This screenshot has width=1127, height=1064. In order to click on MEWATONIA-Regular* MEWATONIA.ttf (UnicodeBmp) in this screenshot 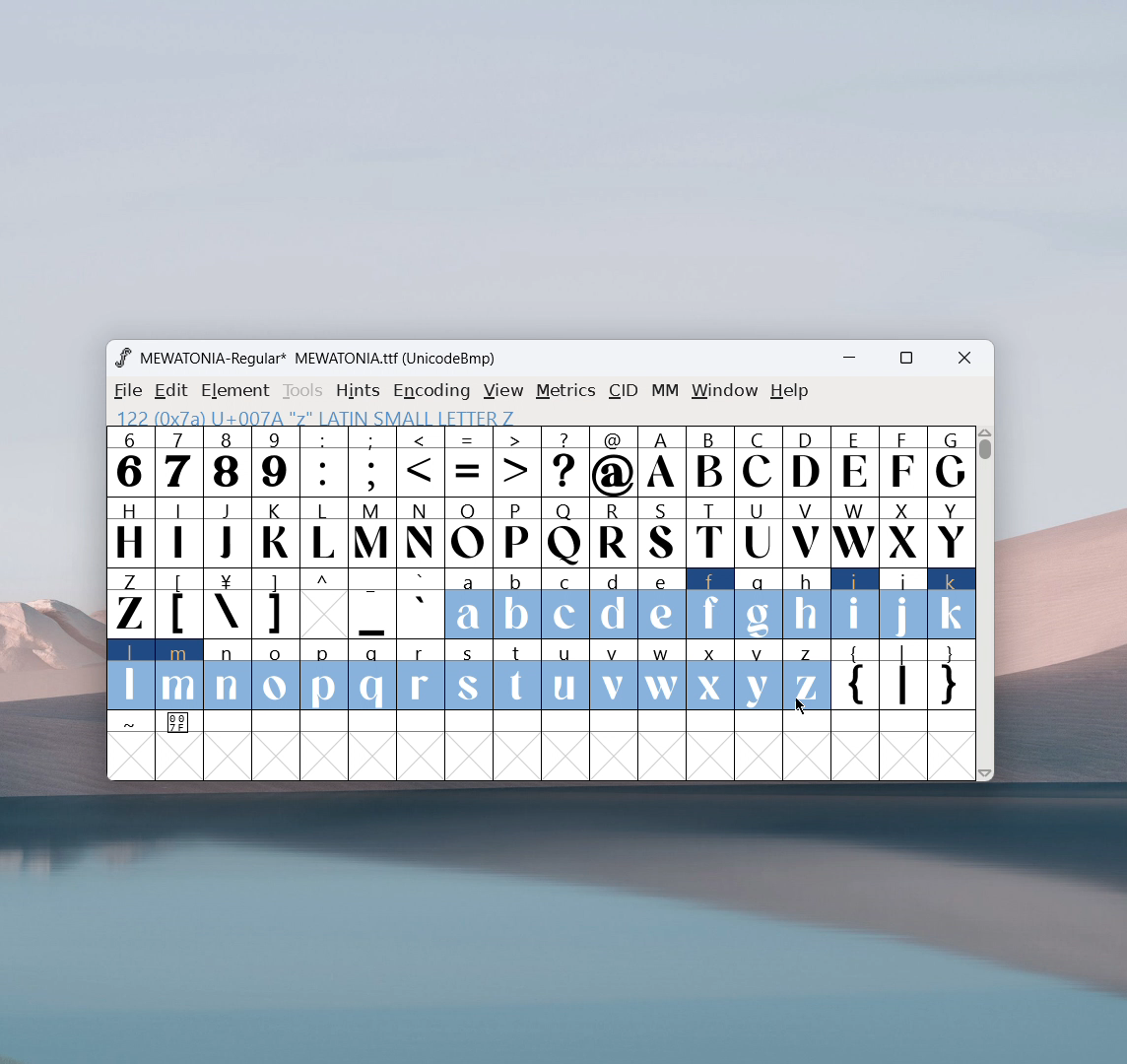, I will do `click(321, 359)`.